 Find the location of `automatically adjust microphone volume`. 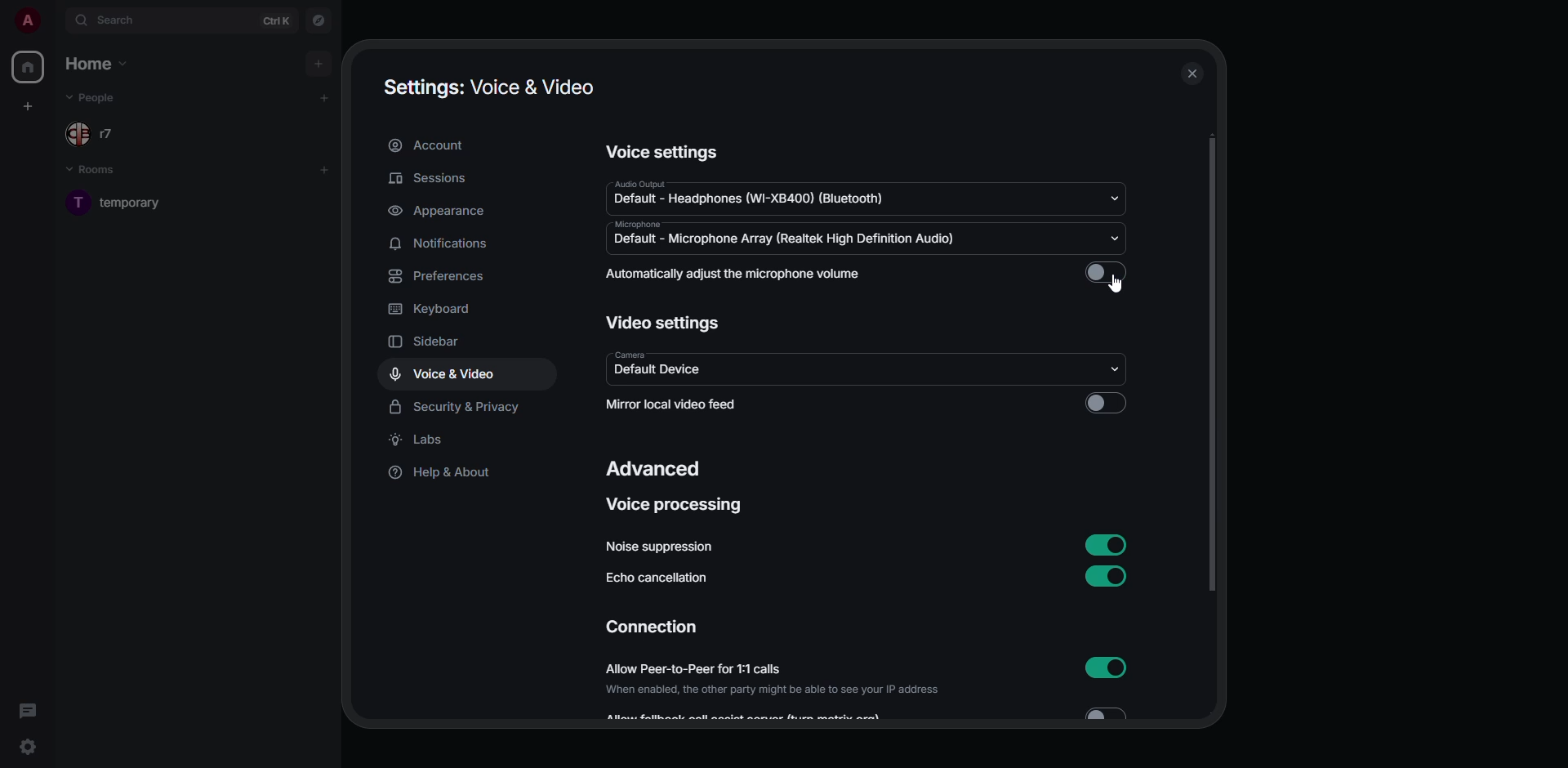

automatically adjust microphone volume is located at coordinates (735, 274).